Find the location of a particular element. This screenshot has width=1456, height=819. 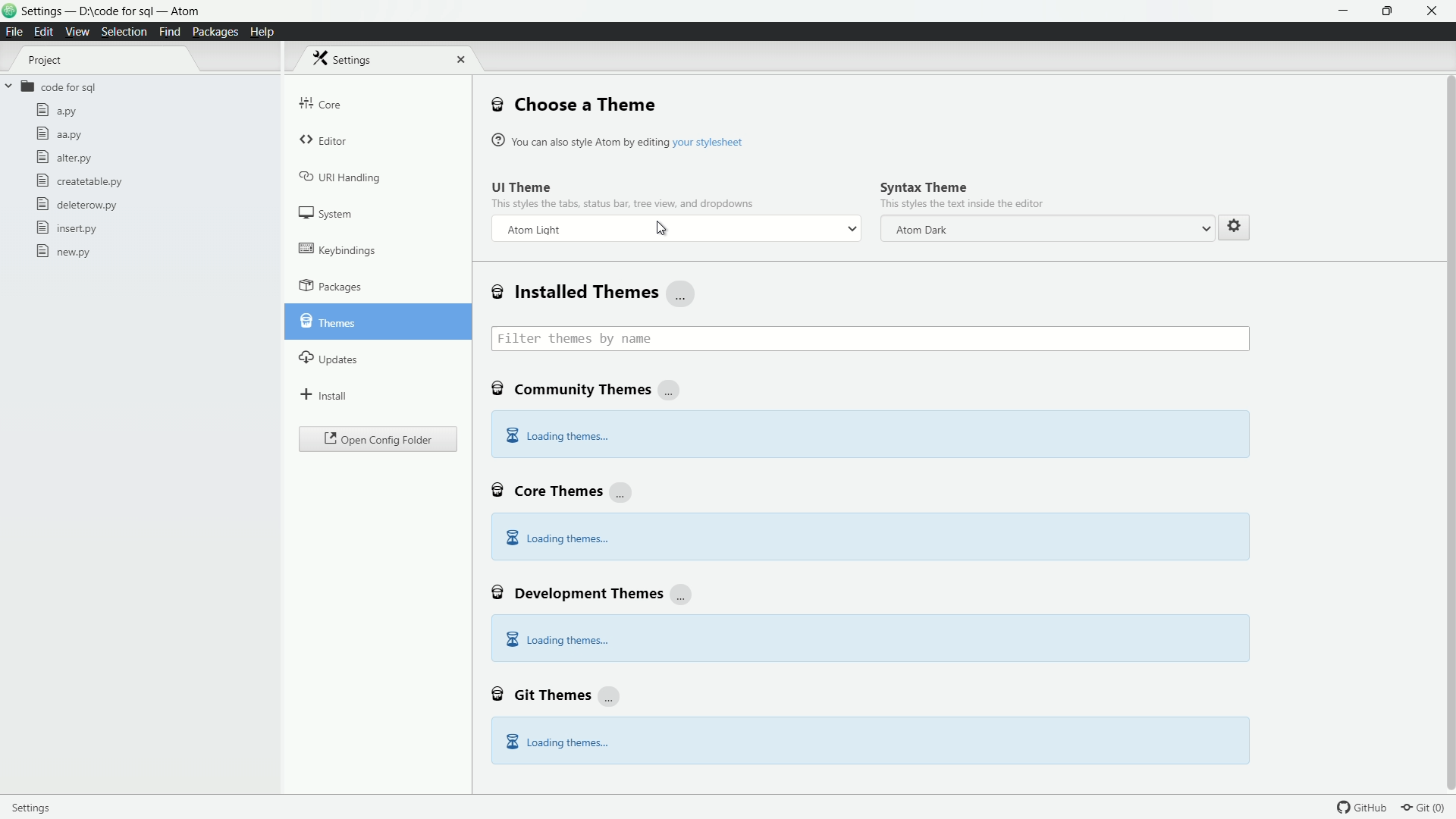

loading themes is located at coordinates (557, 742).